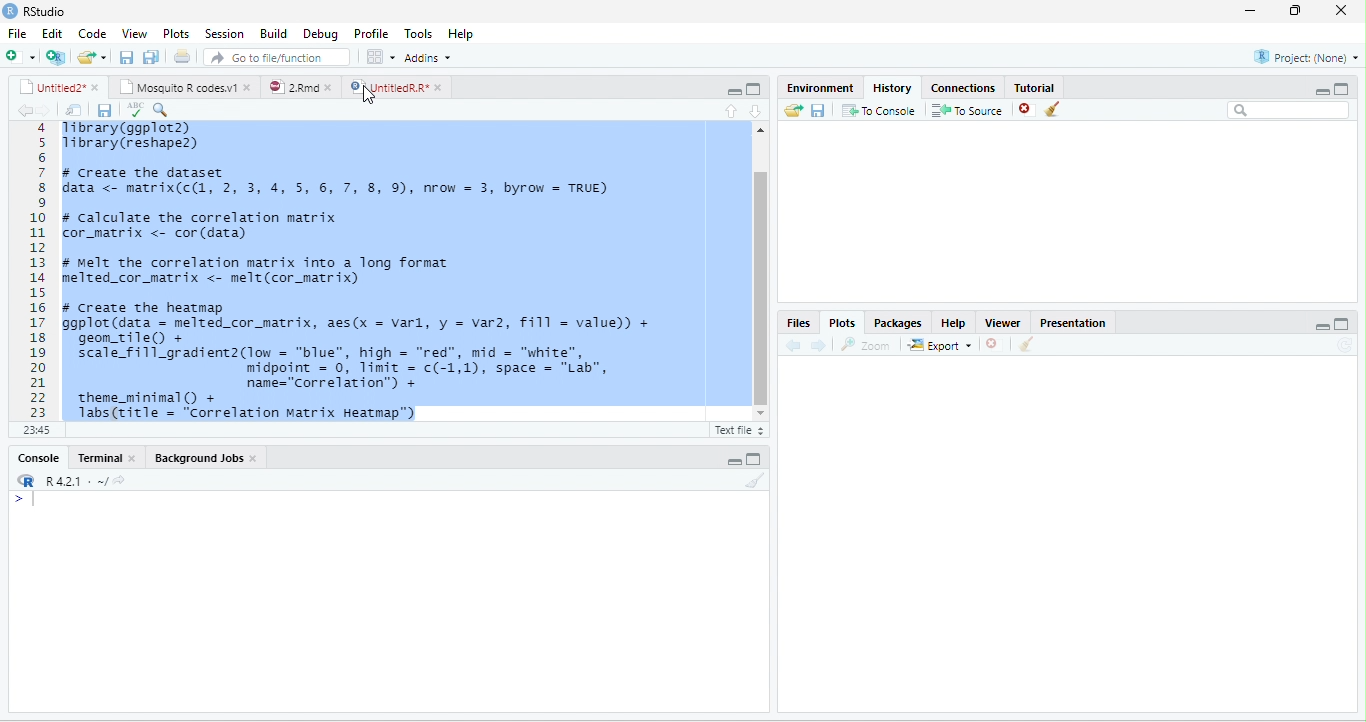 The image size is (1366, 722). Describe the element at coordinates (824, 344) in the screenshot. I see `next` at that location.